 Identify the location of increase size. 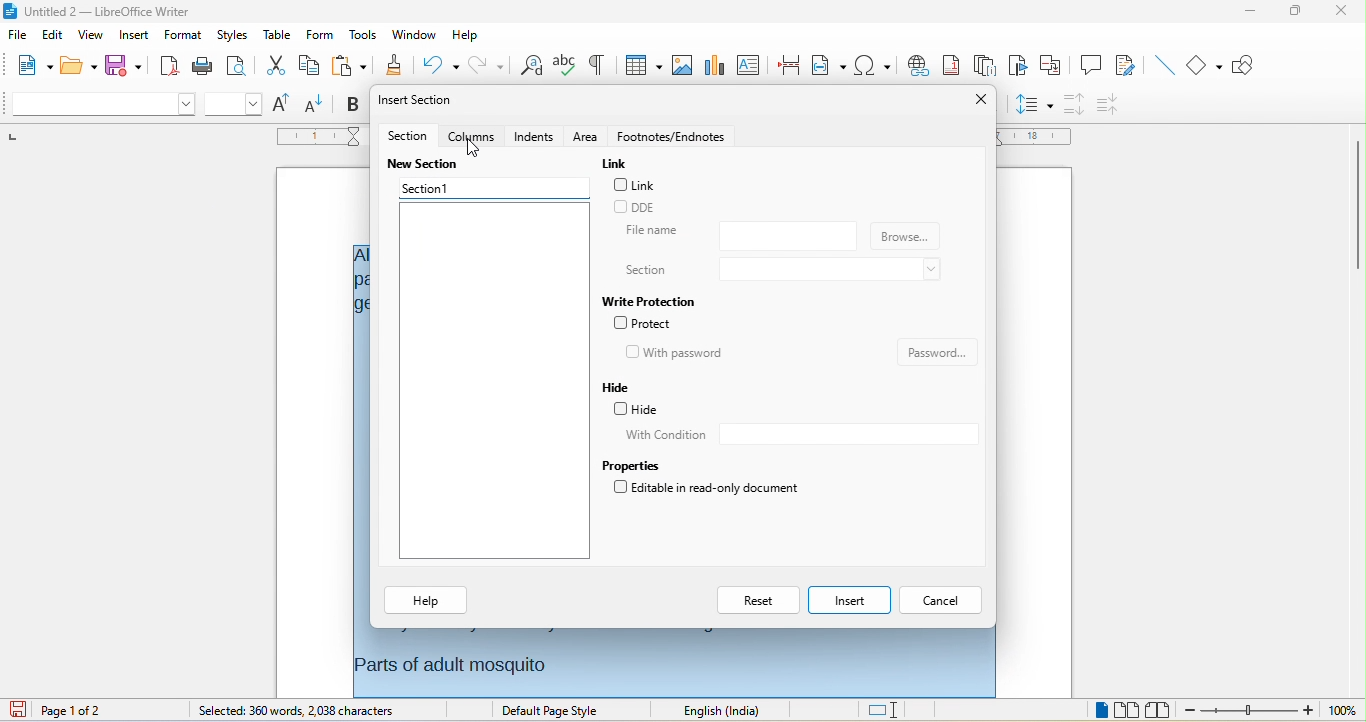
(284, 102).